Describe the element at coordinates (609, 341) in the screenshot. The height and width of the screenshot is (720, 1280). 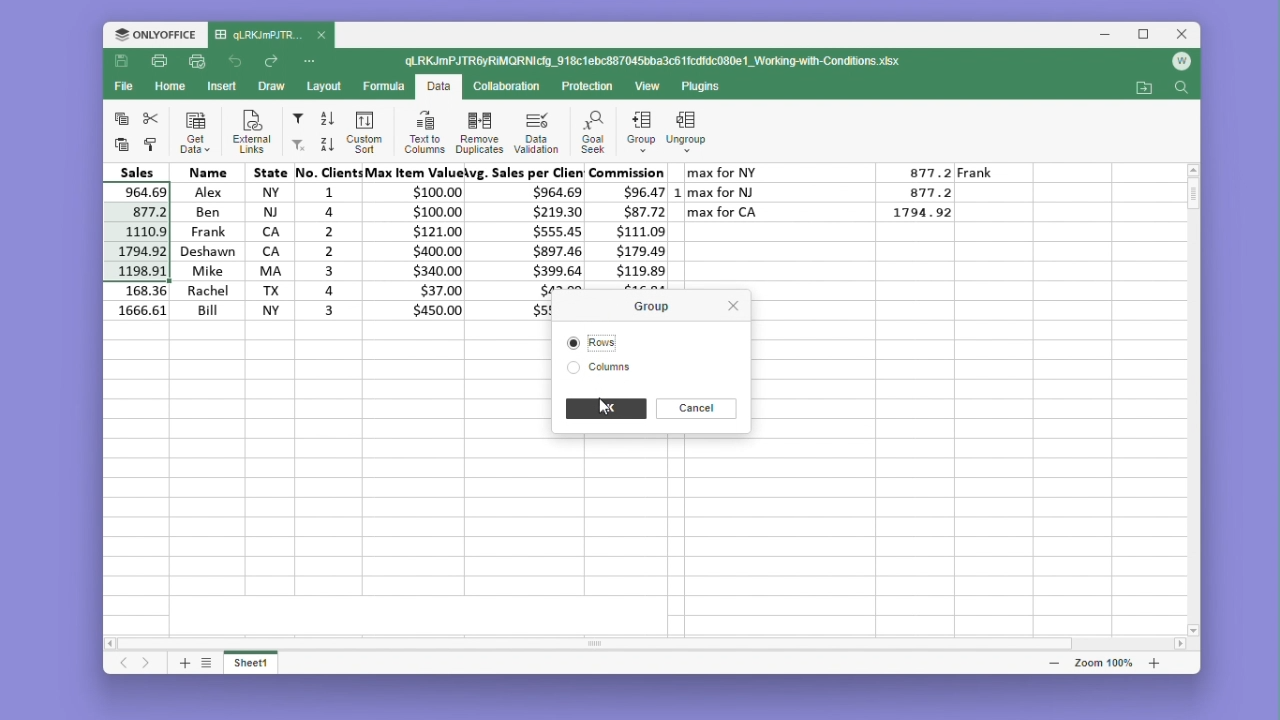
I see `rows` at that location.